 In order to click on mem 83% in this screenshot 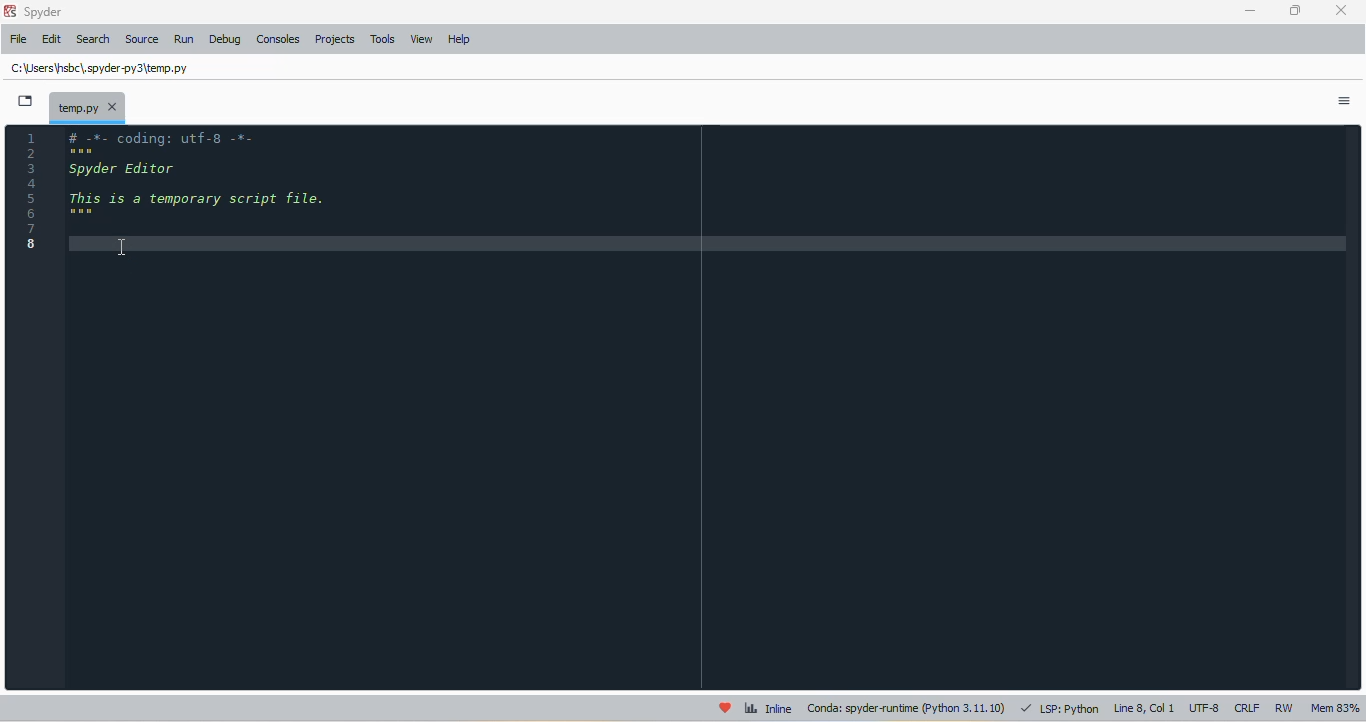, I will do `click(1335, 708)`.